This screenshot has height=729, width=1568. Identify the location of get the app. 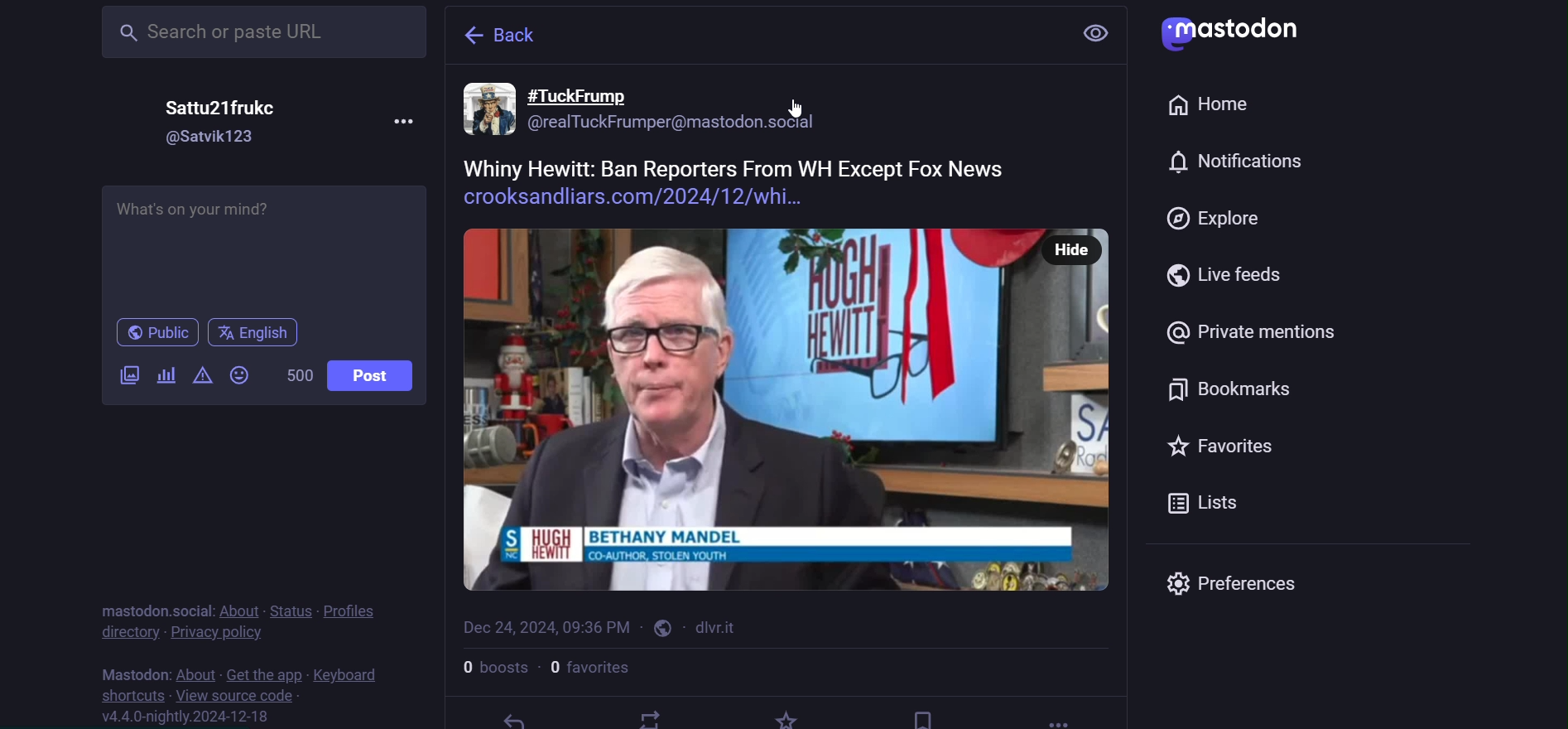
(261, 672).